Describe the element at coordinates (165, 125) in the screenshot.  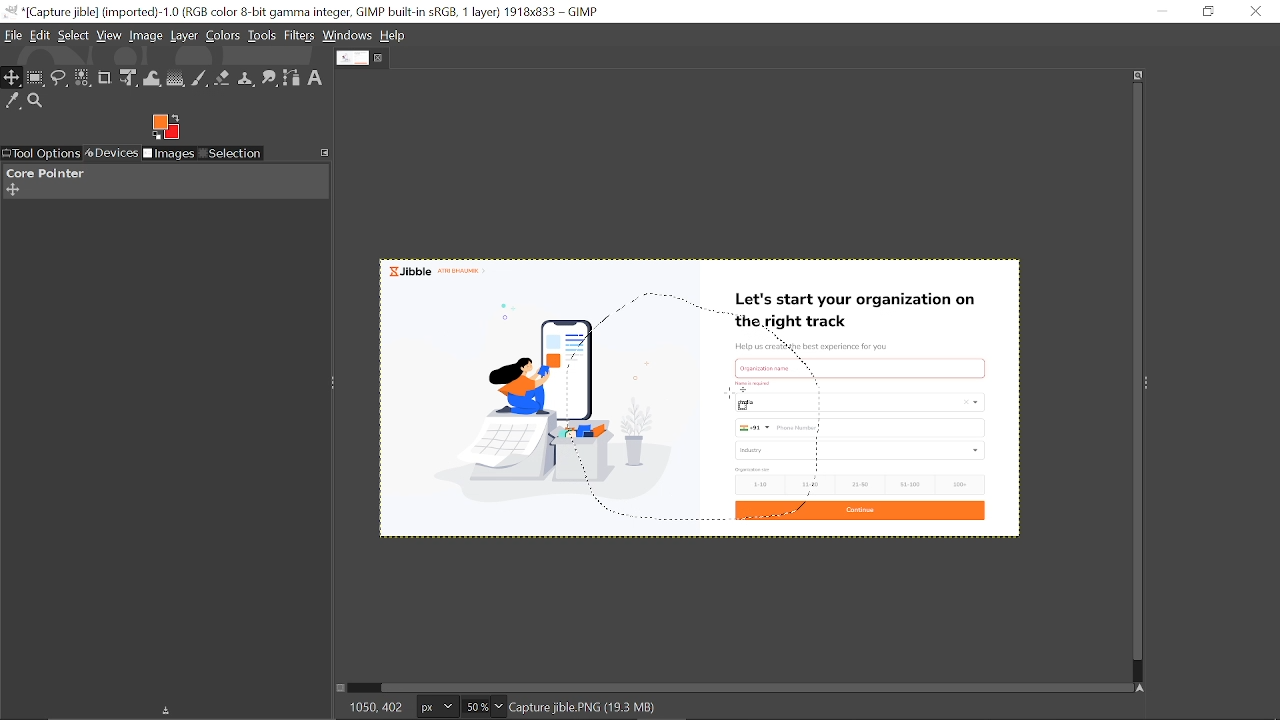
I see `expand` at that location.